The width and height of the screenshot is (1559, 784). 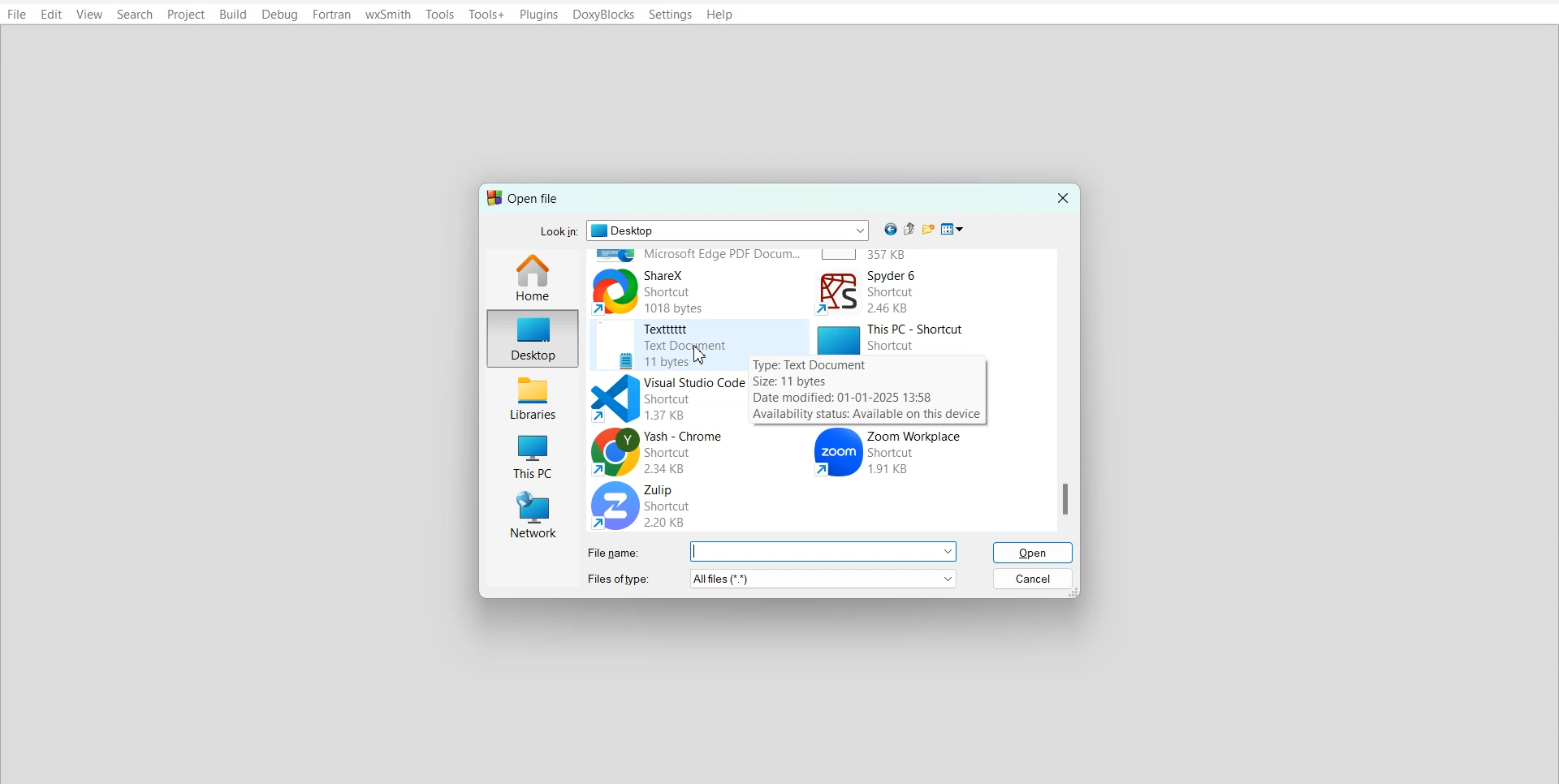 What do you see at coordinates (698, 290) in the screenshot?
I see `ShareX` at bounding box center [698, 290].